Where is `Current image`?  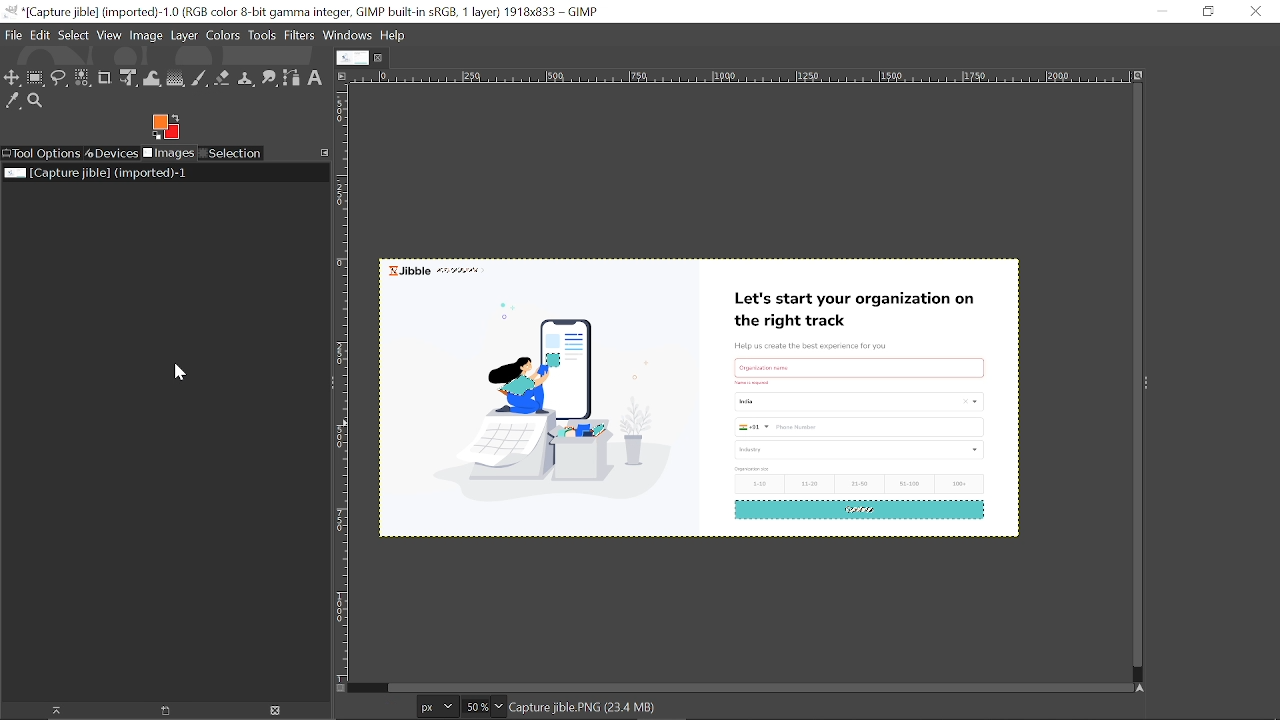 Current image is located at coordinates (704, 403).